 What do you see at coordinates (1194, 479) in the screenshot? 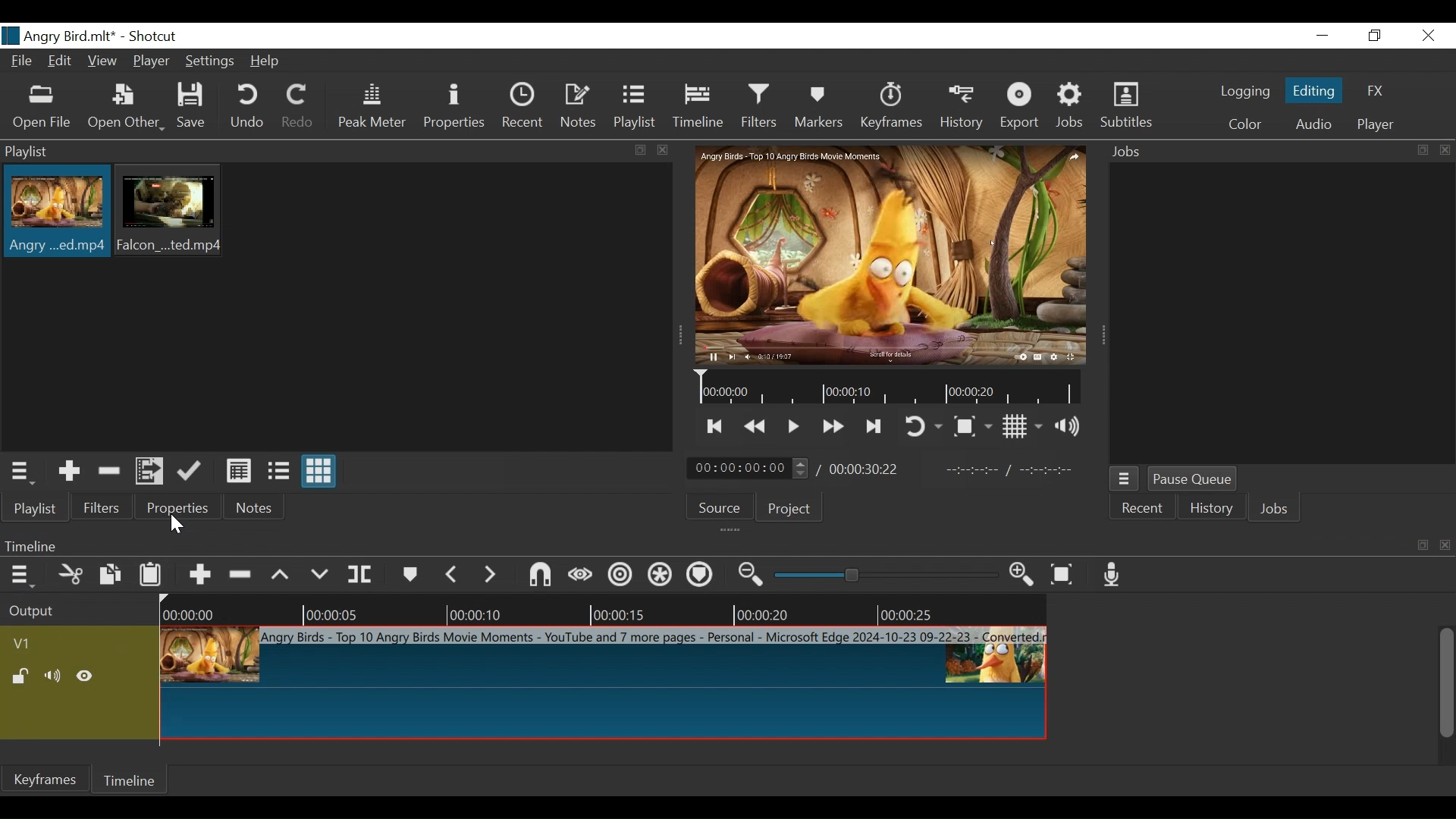
I see `Pause Queue` at bounding box center [1194, 479].